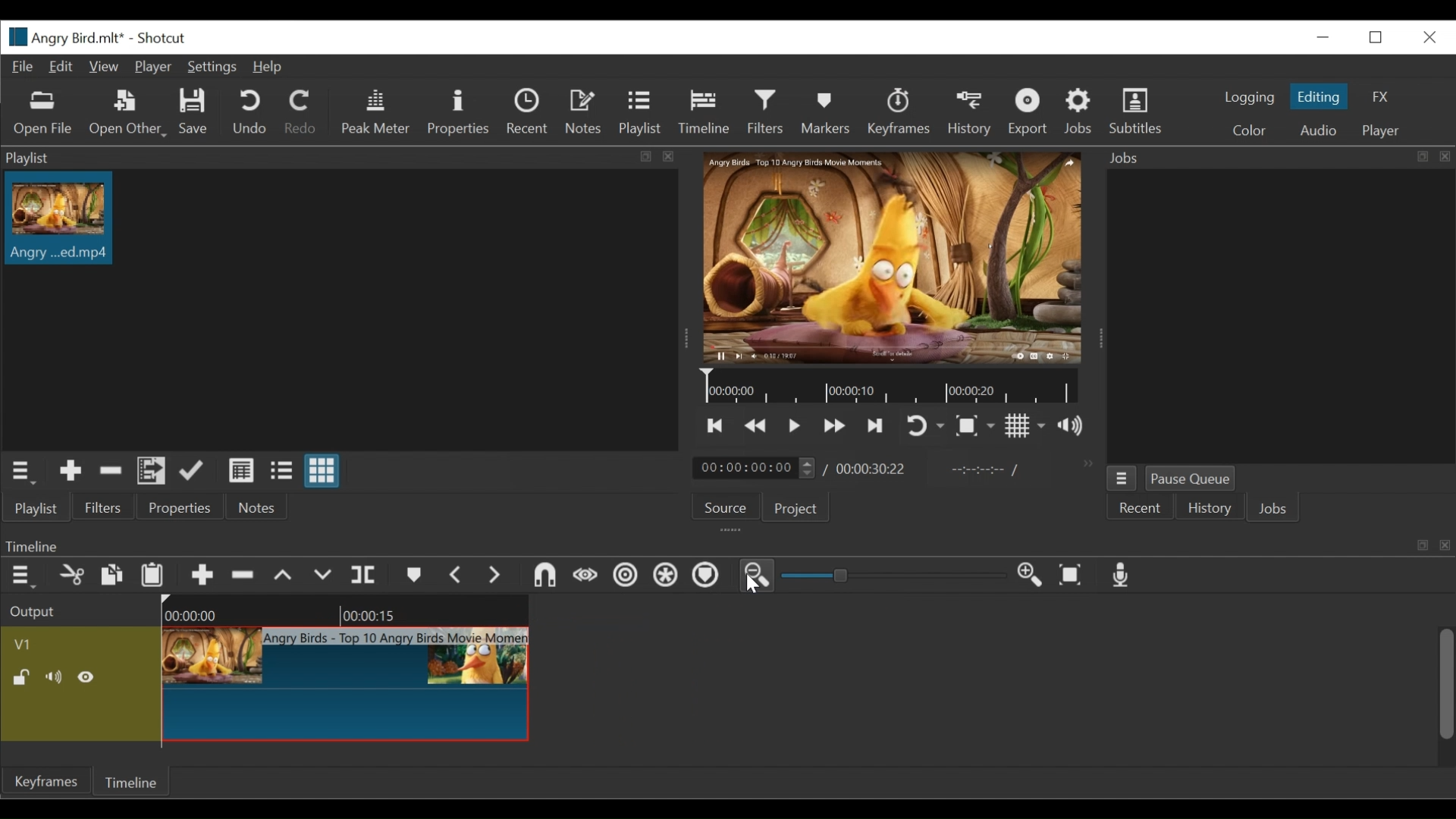 This screenshot has width=1456, height=819. What do you see at coordinates (584, 111) in the screenshot?
I see `Notes` at bounding box center [584, 111].